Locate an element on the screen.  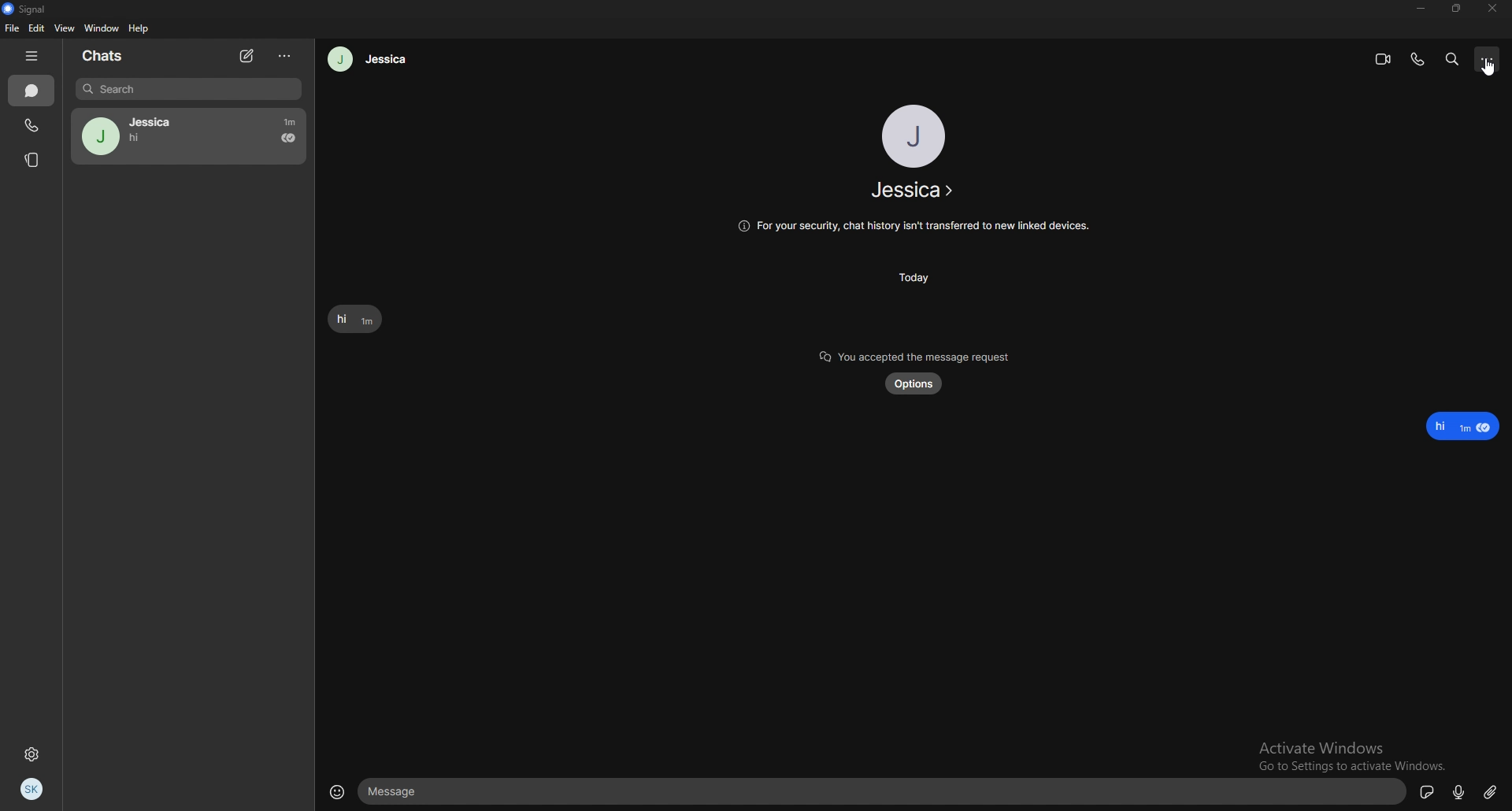
Search bar is located at coordinates (187, 90).